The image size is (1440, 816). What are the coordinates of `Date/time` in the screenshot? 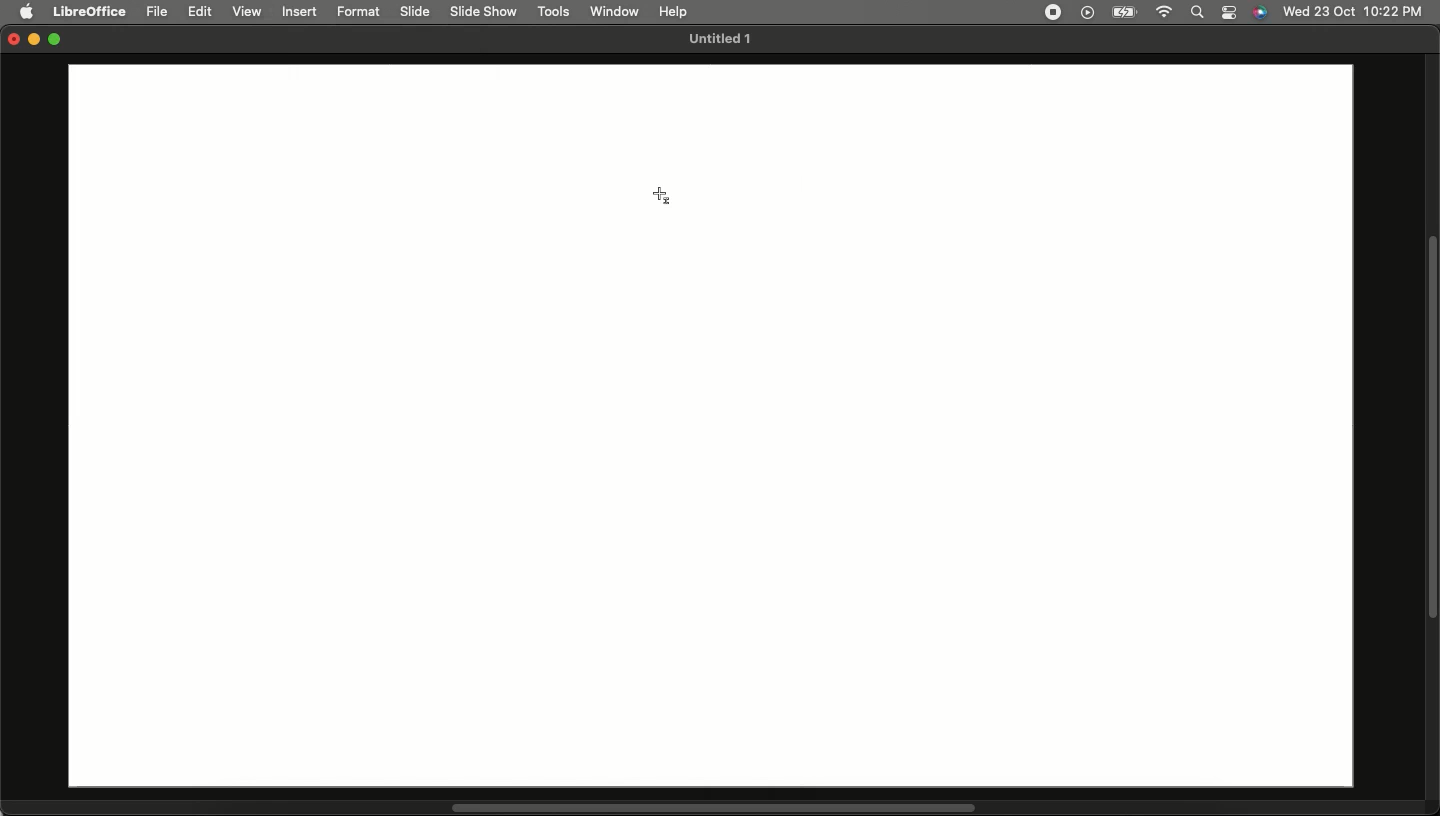 It's located at (1353, 11).